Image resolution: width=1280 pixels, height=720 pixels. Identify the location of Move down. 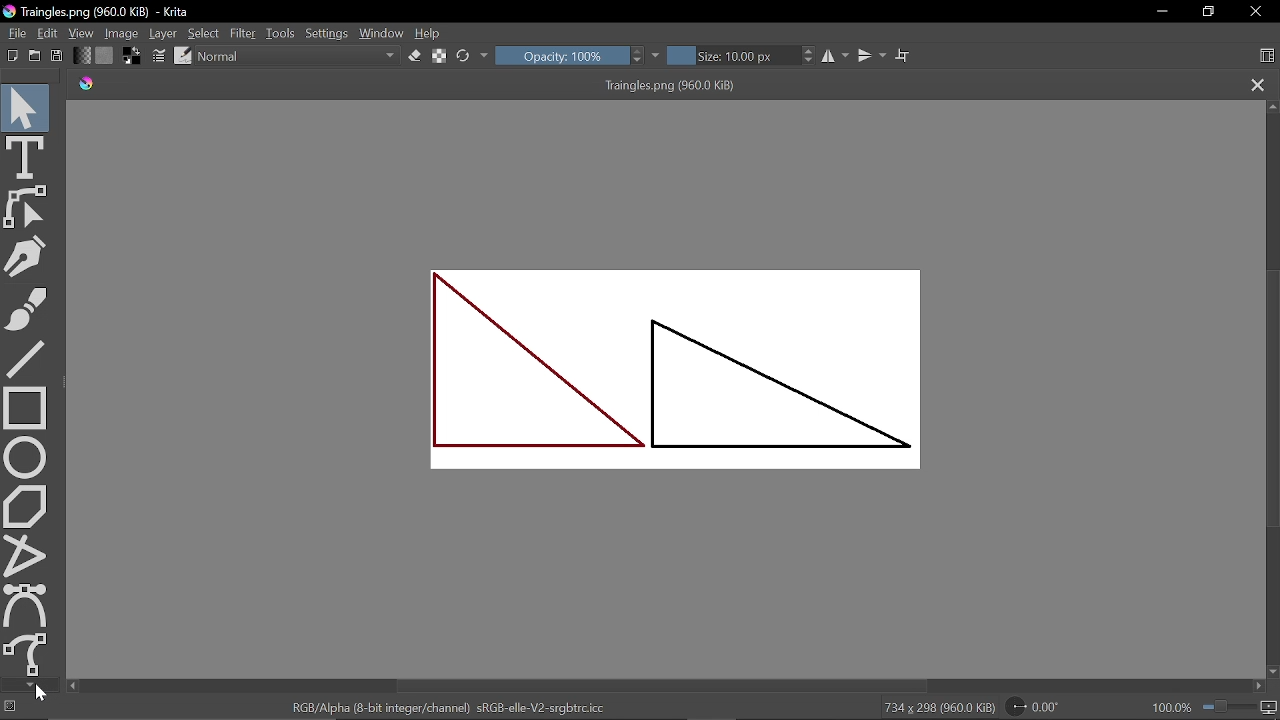
(1272, 672).